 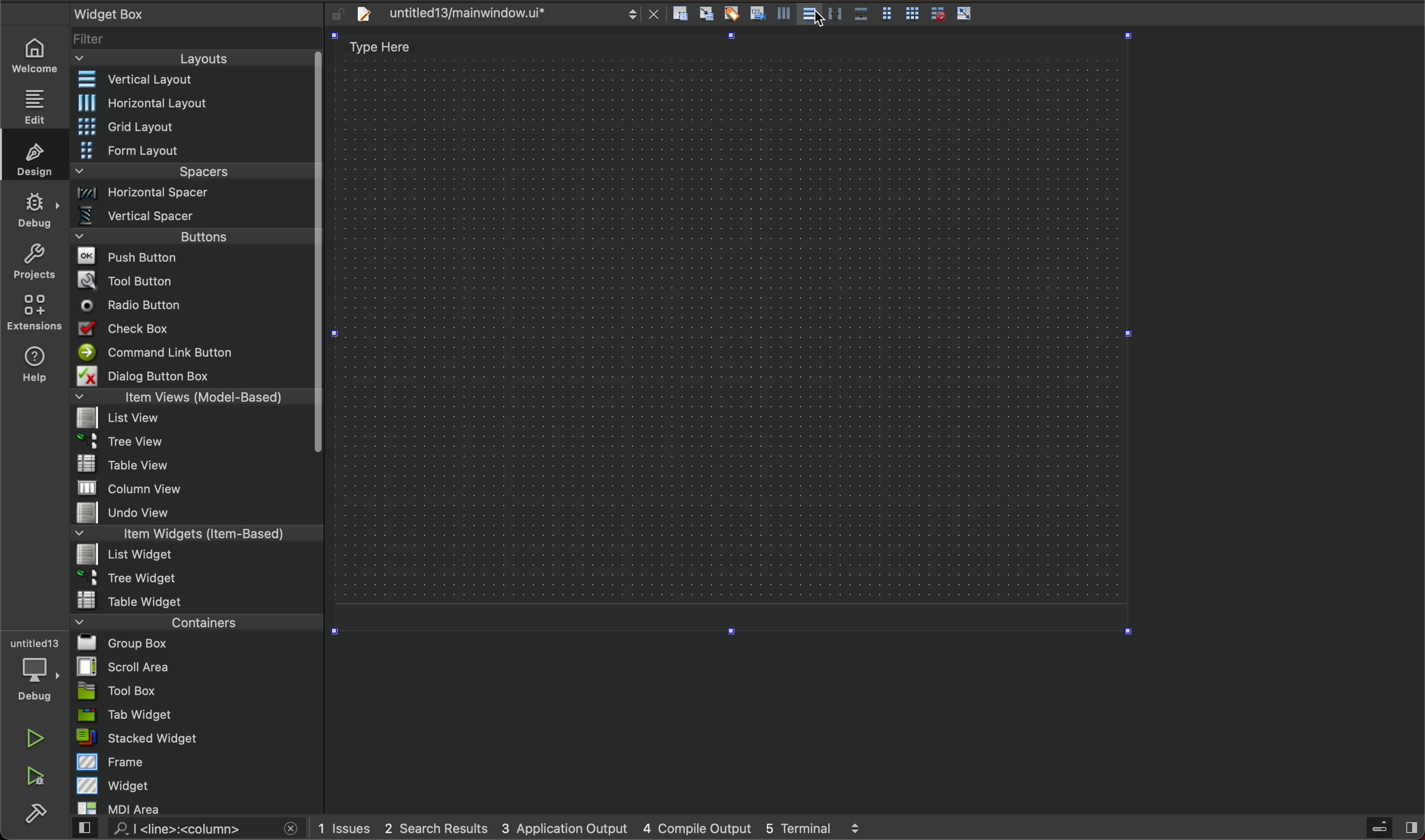 What do you see at coordinates (194, 715) in the screenshot?
I see `tab widget` at bounding box center [194, 715].